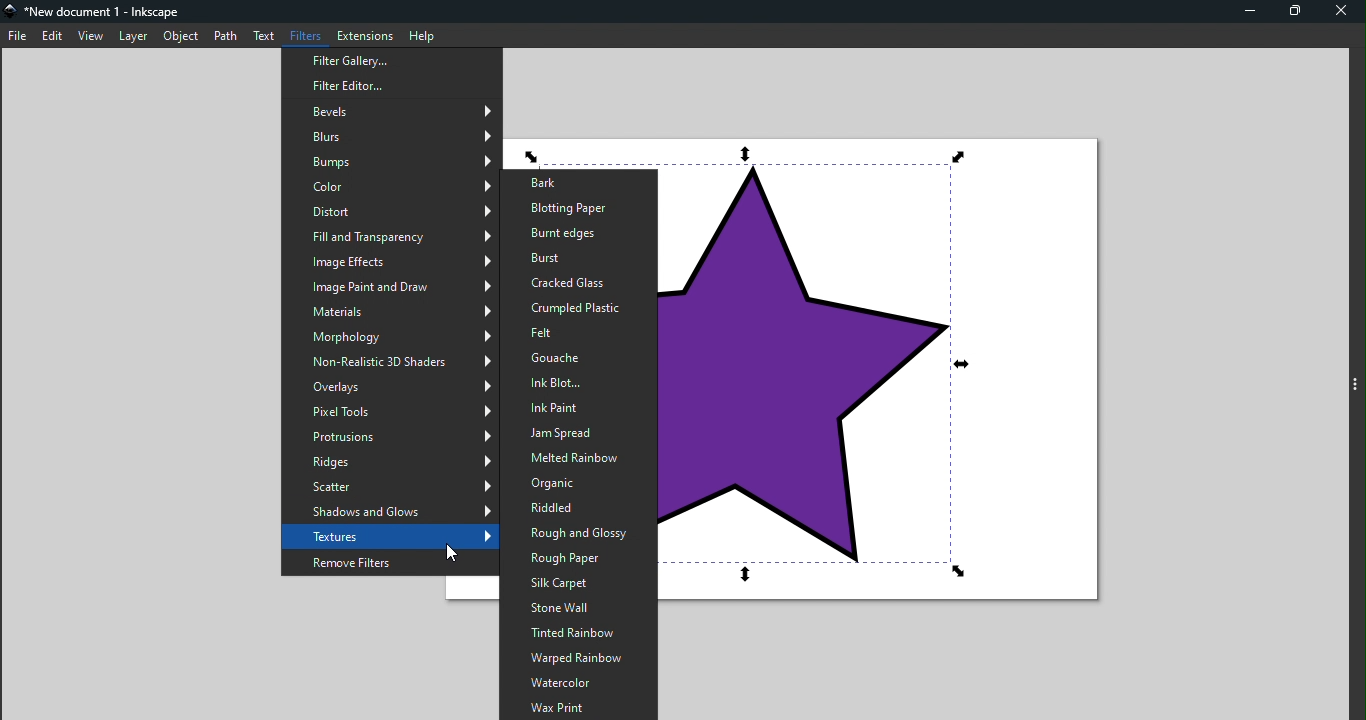  Describe the element at coordinates (392, 412) in the screenshot. I see `Pixel tools` at that location.